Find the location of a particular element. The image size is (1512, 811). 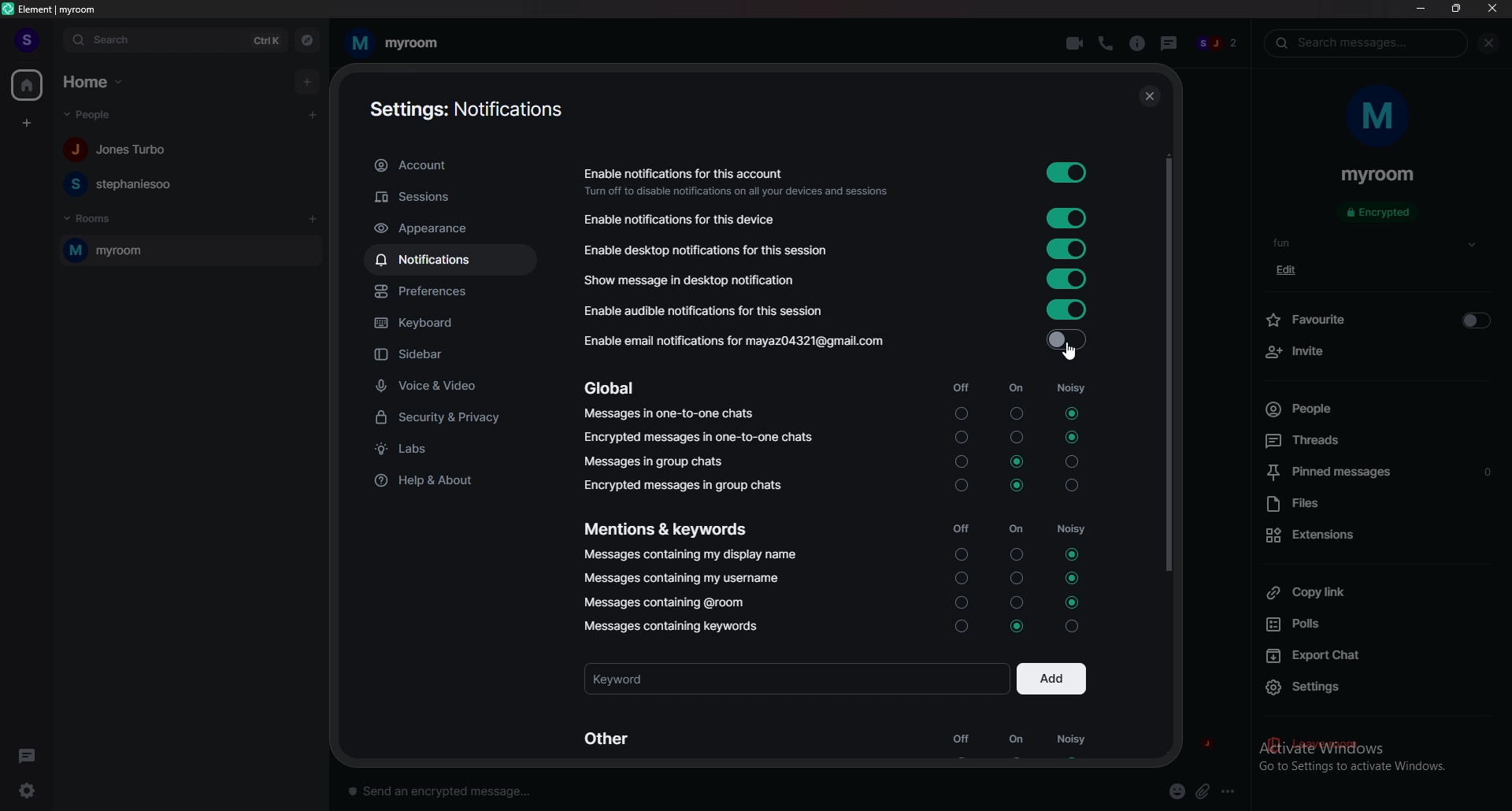

messages containing my username is located at coordinates (682, 577).